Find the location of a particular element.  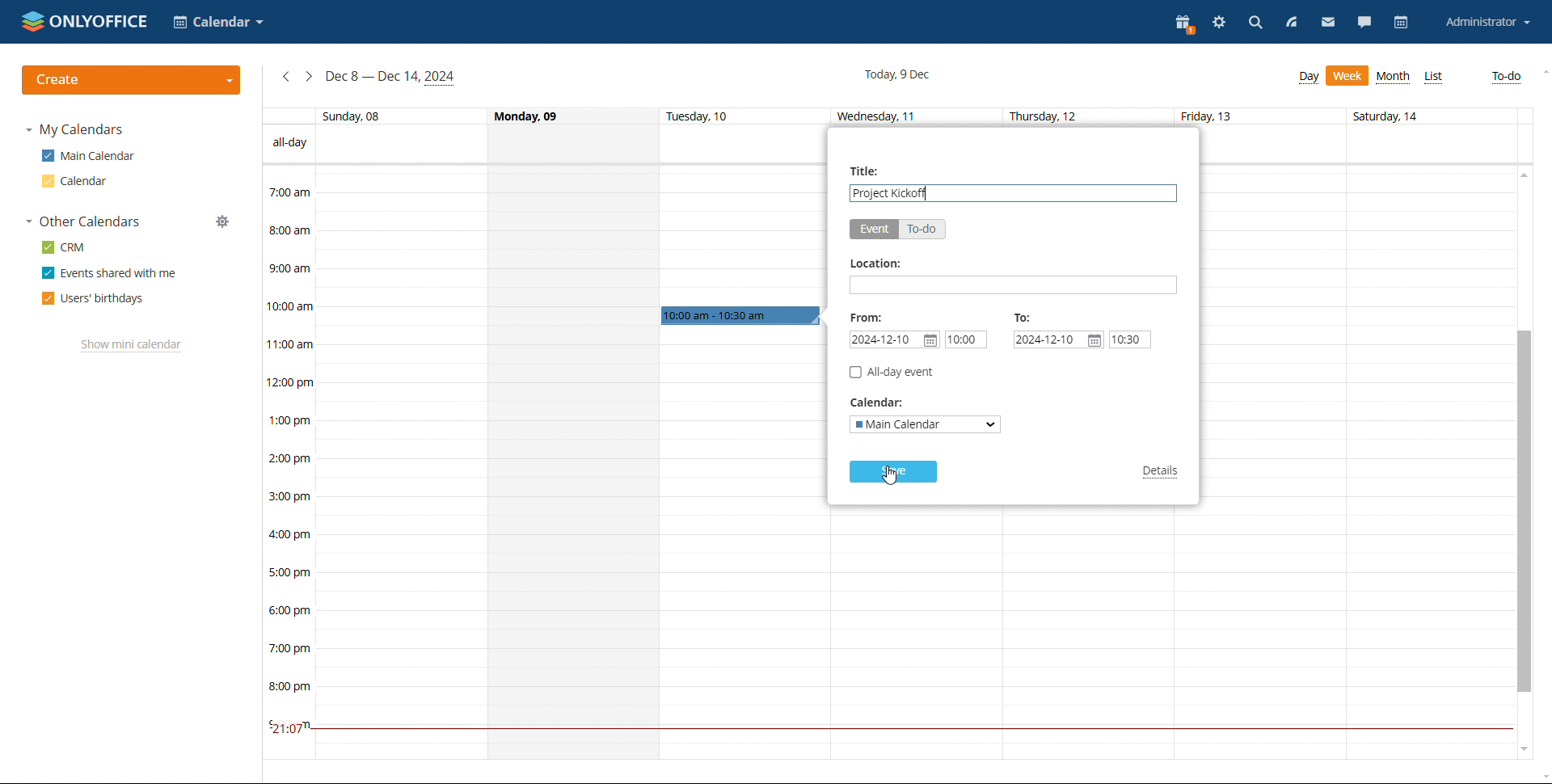

users' birthdays is located at coordinates (93, 298).